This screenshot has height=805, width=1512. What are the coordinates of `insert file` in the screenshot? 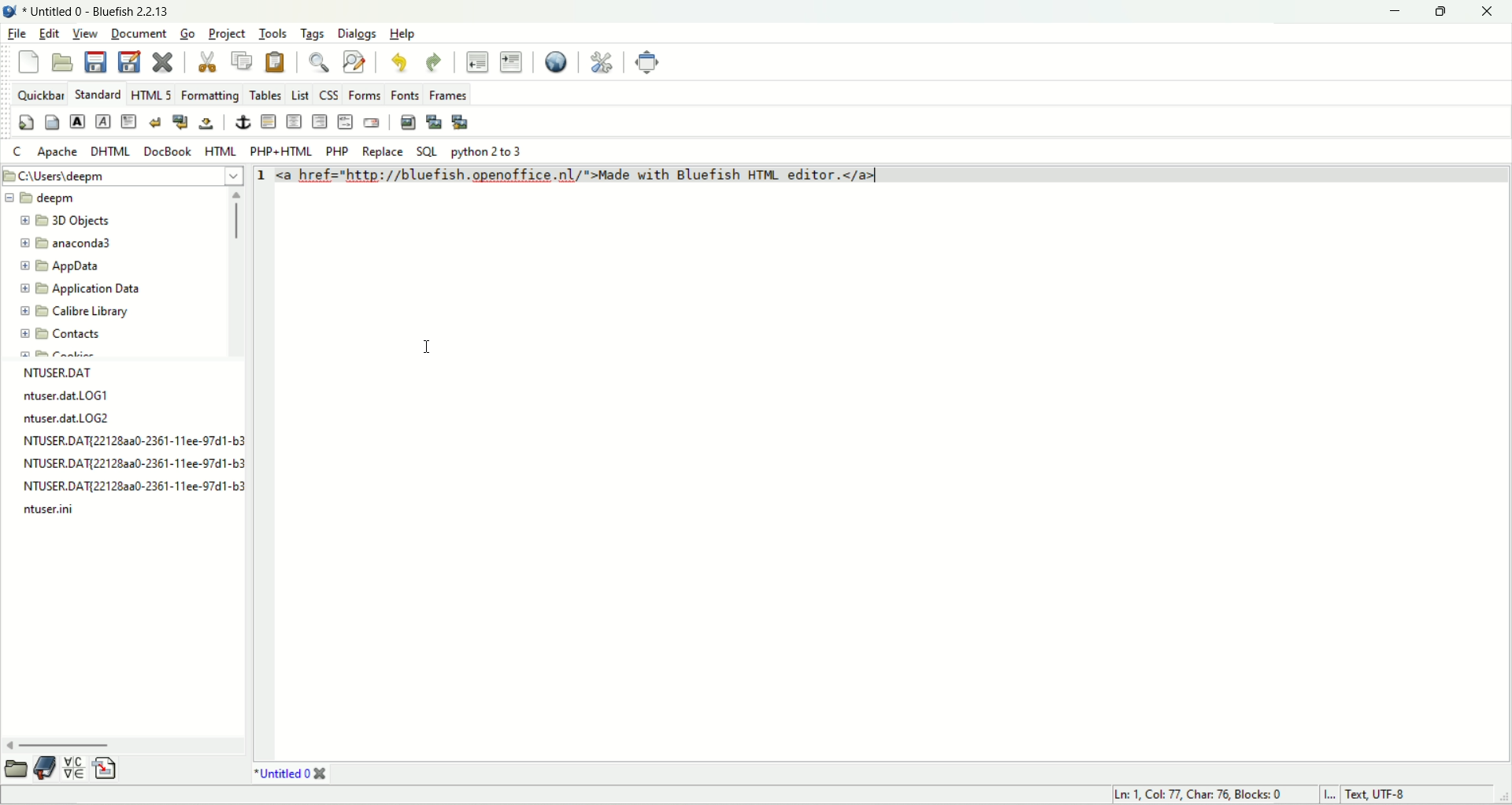 It's located at (111, 766).